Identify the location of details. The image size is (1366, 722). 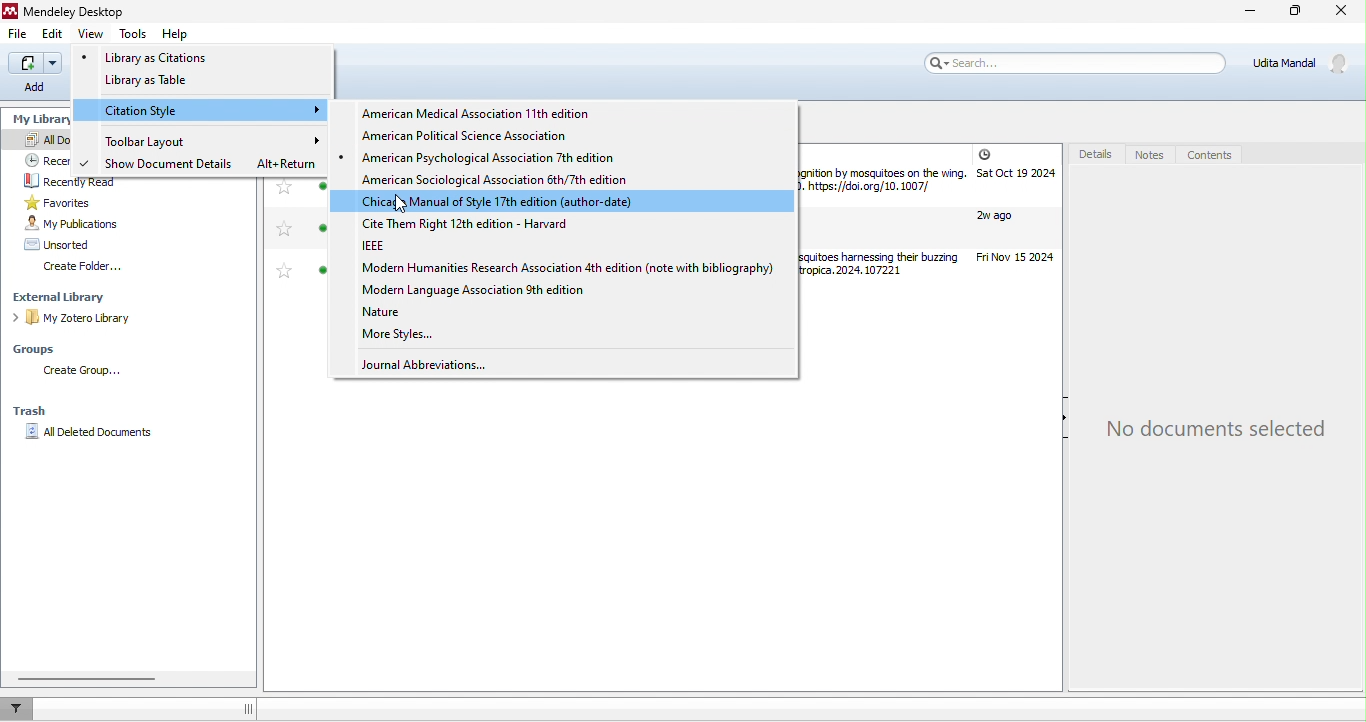
(1093, 156).